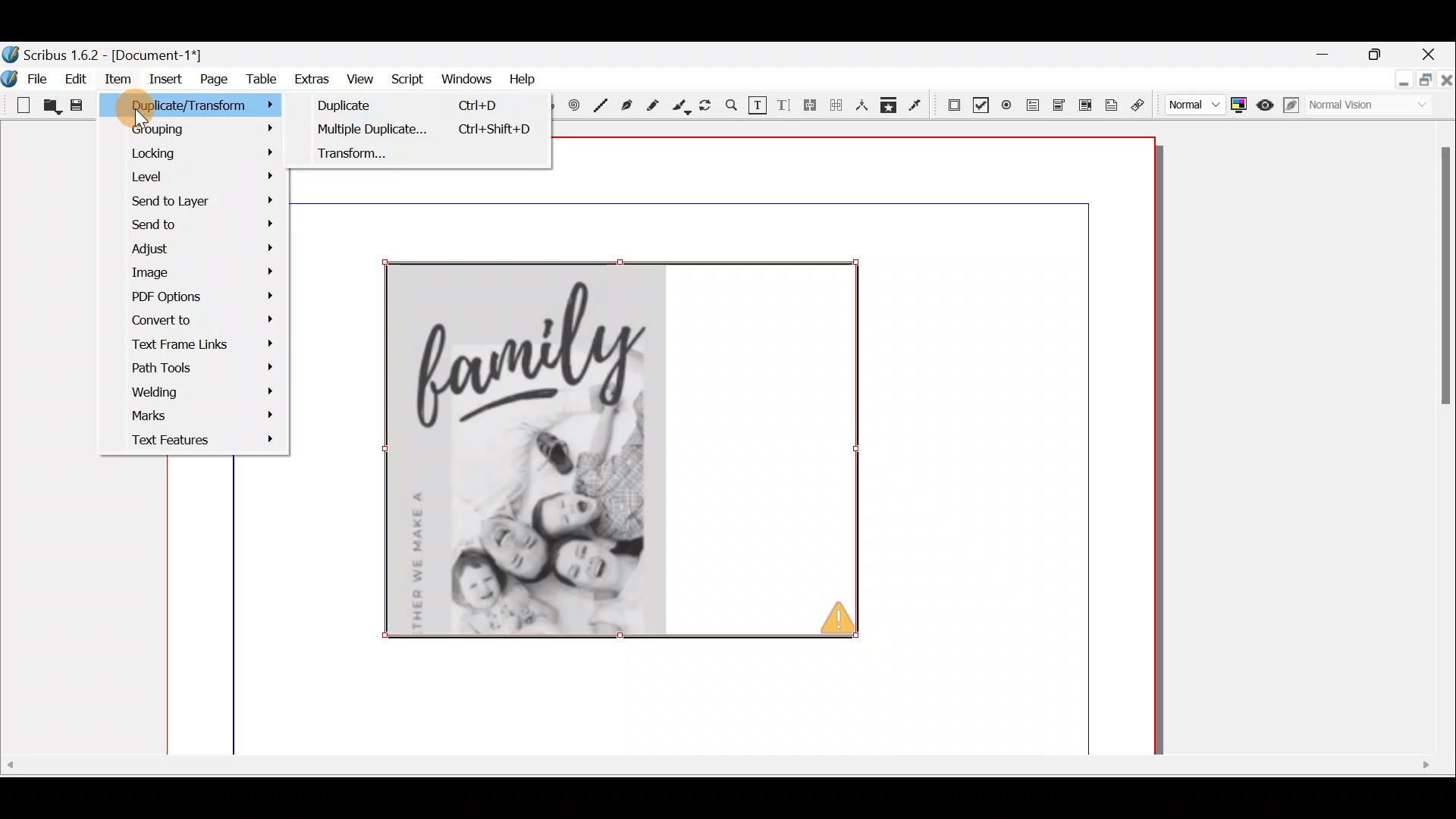  What do you see at coordinates (1240, 105) in the screenshot?
I see `Toggle colour management system` at bounding box center [1240, 105].